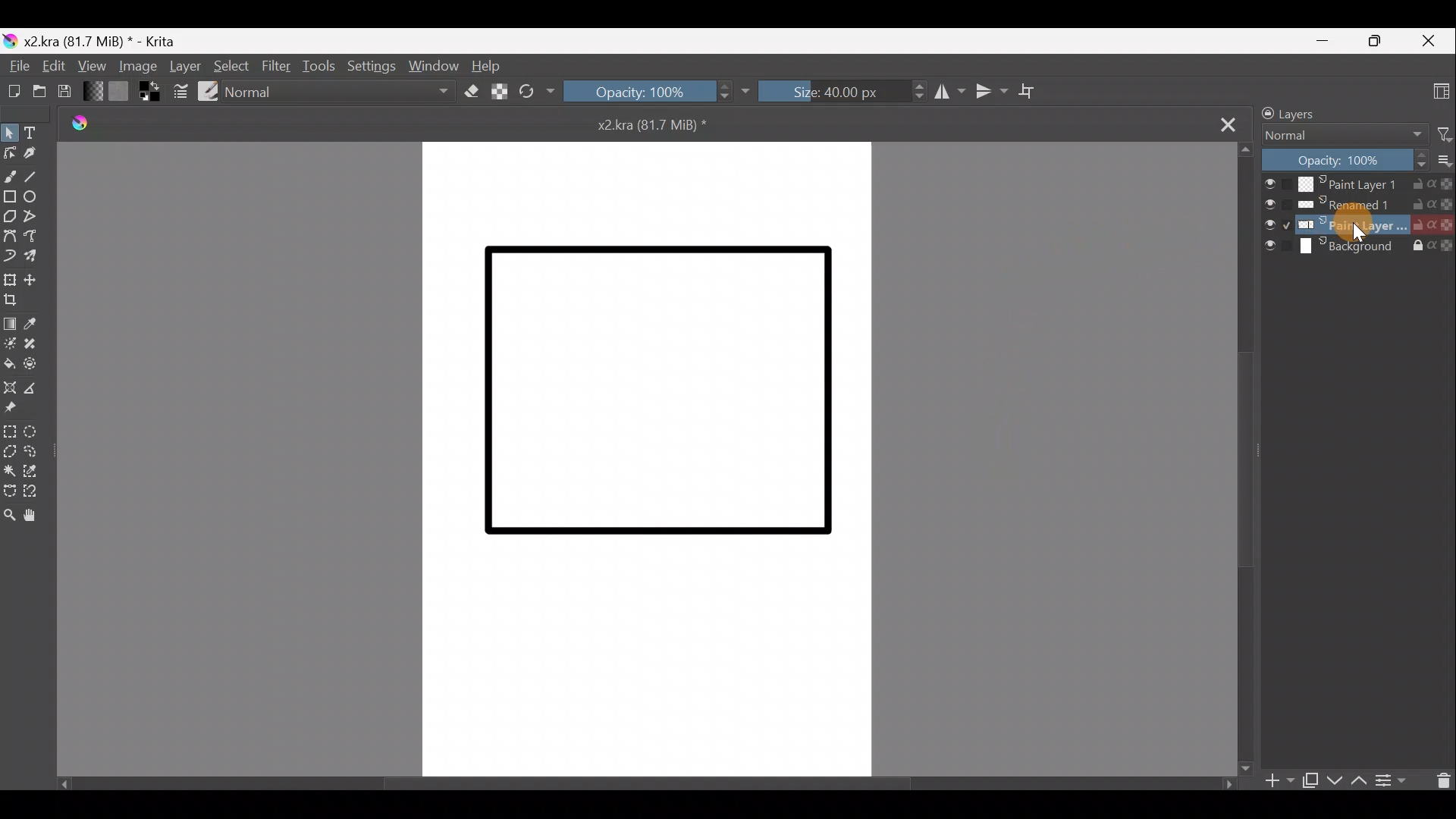 The width and height of the screenshot is (1456, 819). I want to click on Normal Blending mode, so click(1341, 136).